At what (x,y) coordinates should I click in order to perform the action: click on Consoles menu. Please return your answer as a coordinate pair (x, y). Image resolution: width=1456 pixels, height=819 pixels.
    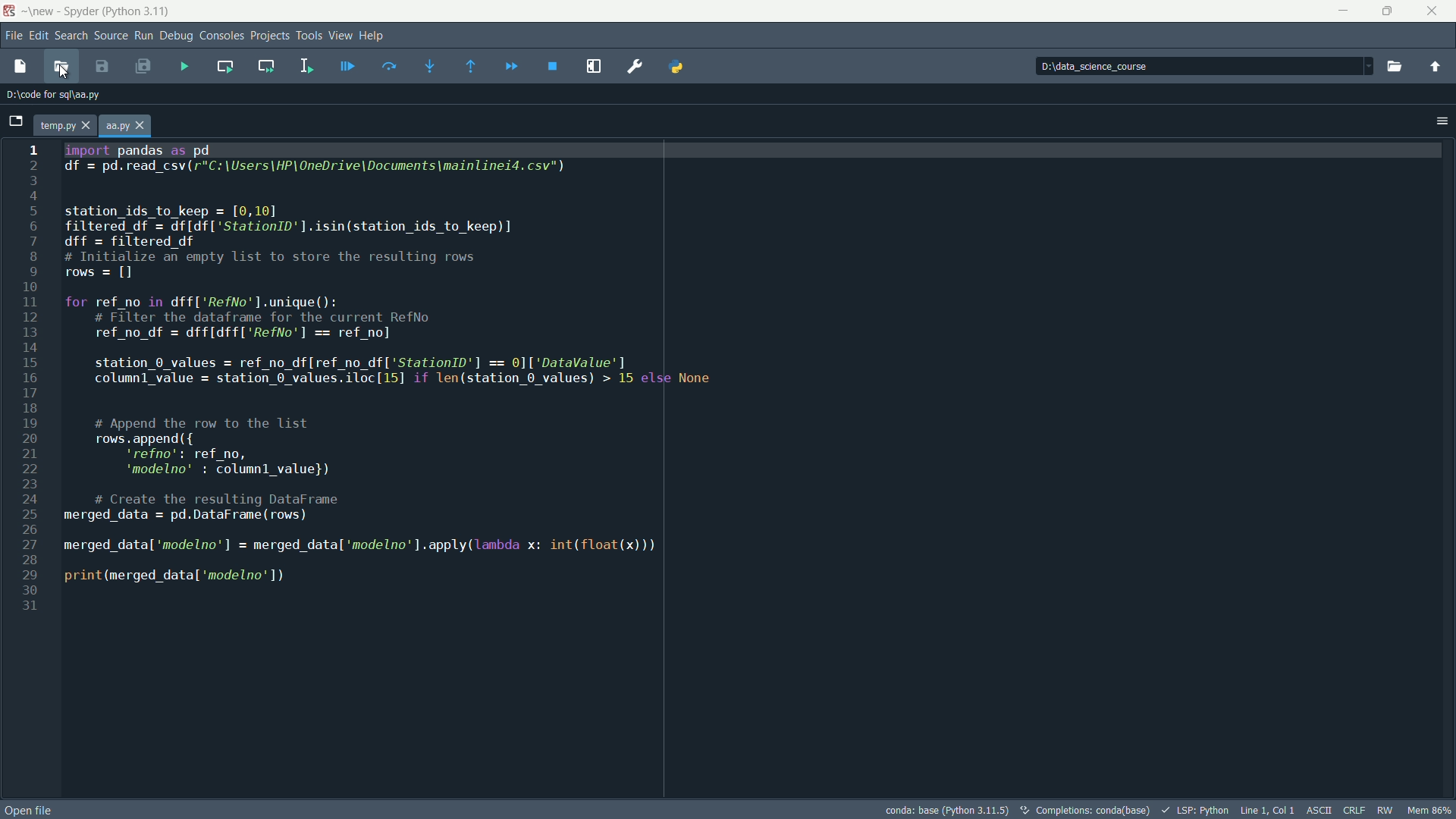
    Looking at the image, I should click on (221, 36).